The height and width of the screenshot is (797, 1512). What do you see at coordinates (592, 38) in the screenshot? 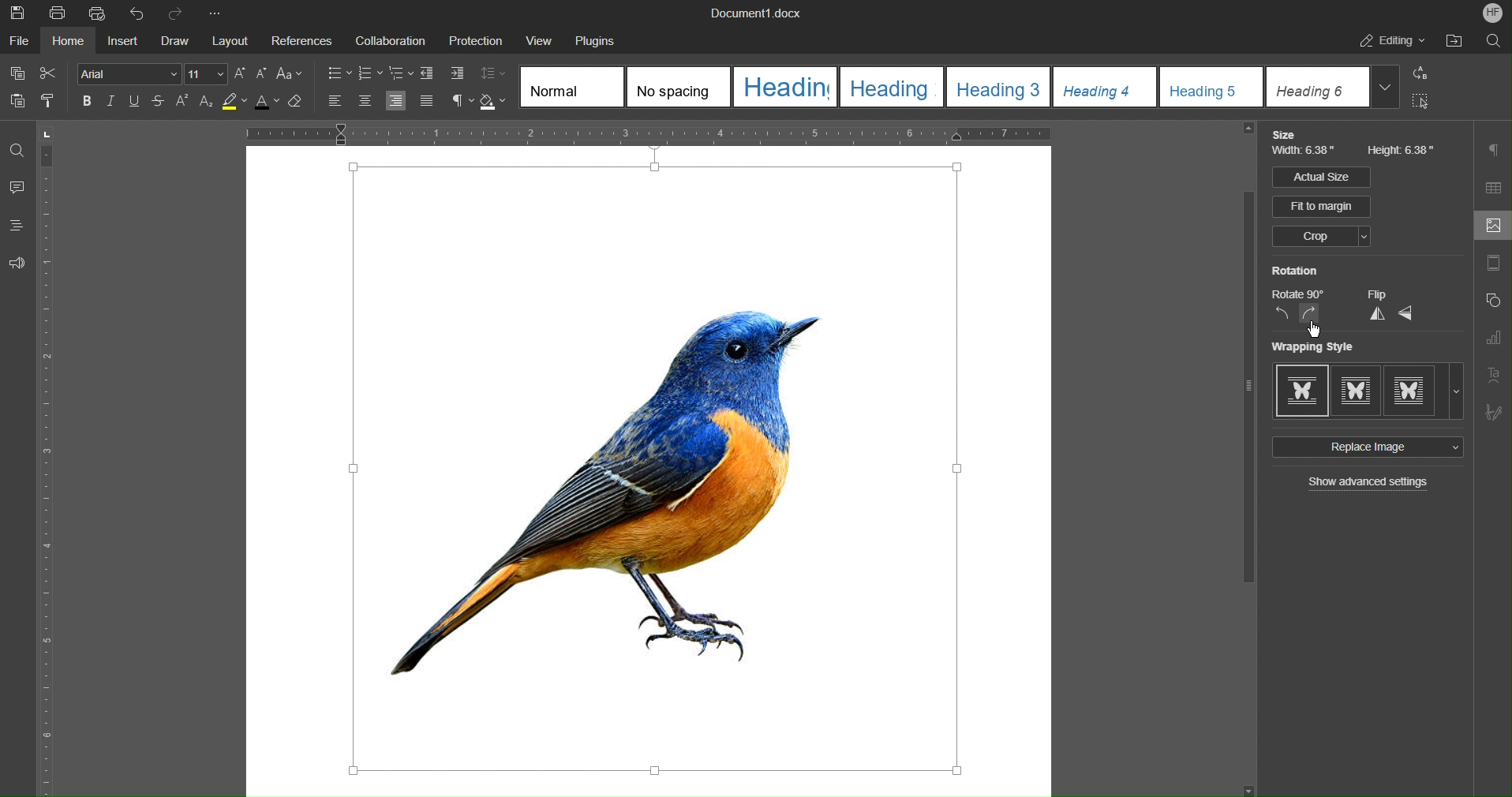
I see `Plugins` at bounding box center [592, 38].